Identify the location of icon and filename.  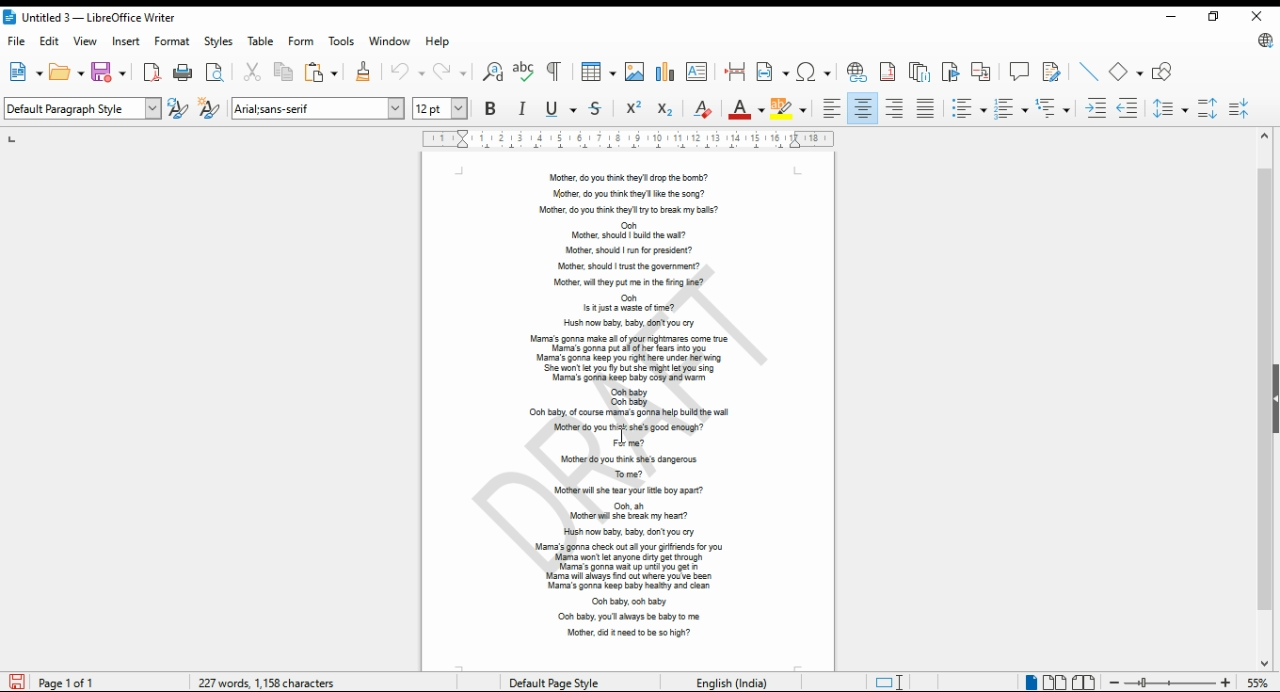
(108, 17).